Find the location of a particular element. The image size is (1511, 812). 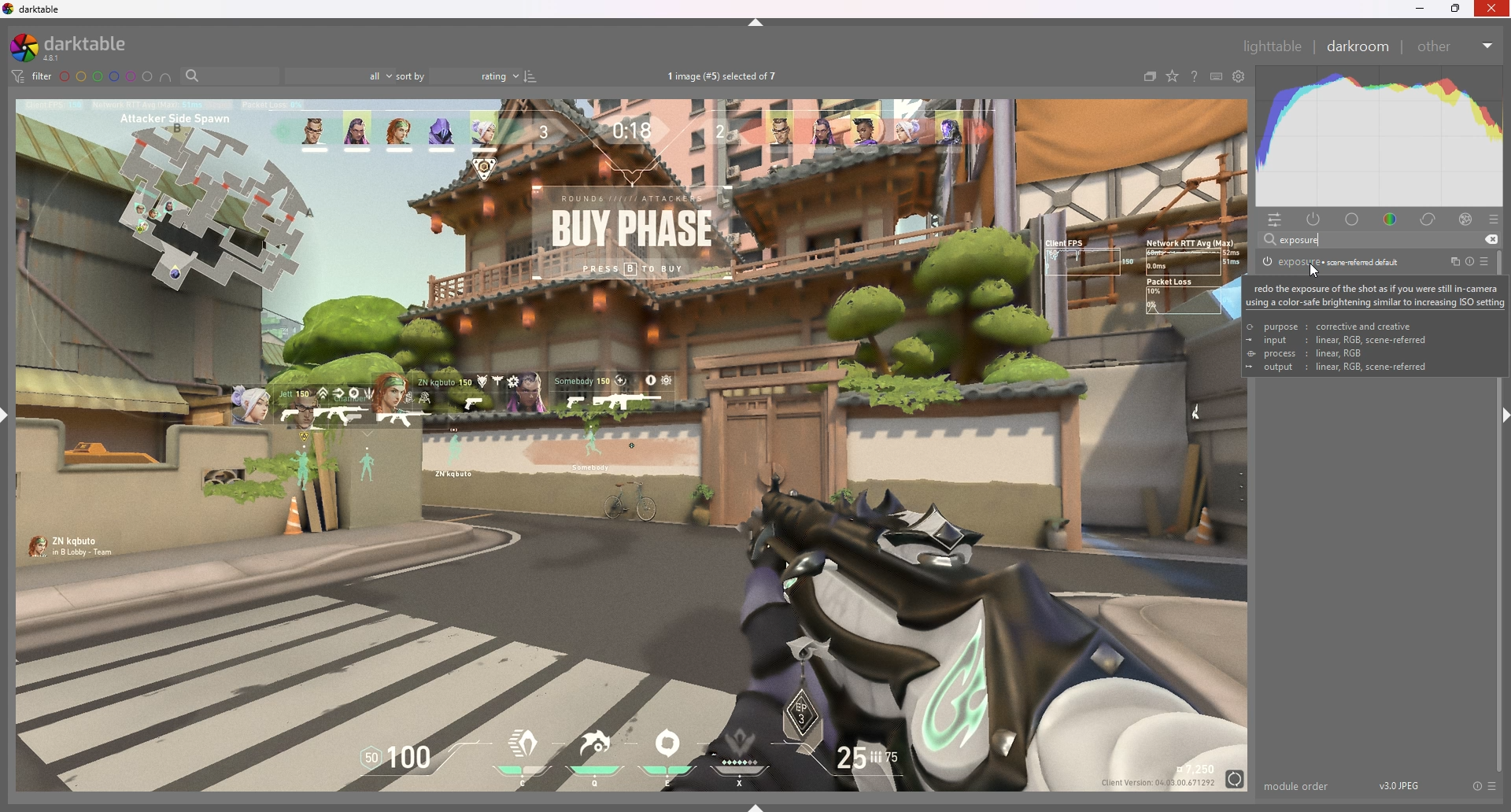

darkroom is located at coordinates (1357, 46).